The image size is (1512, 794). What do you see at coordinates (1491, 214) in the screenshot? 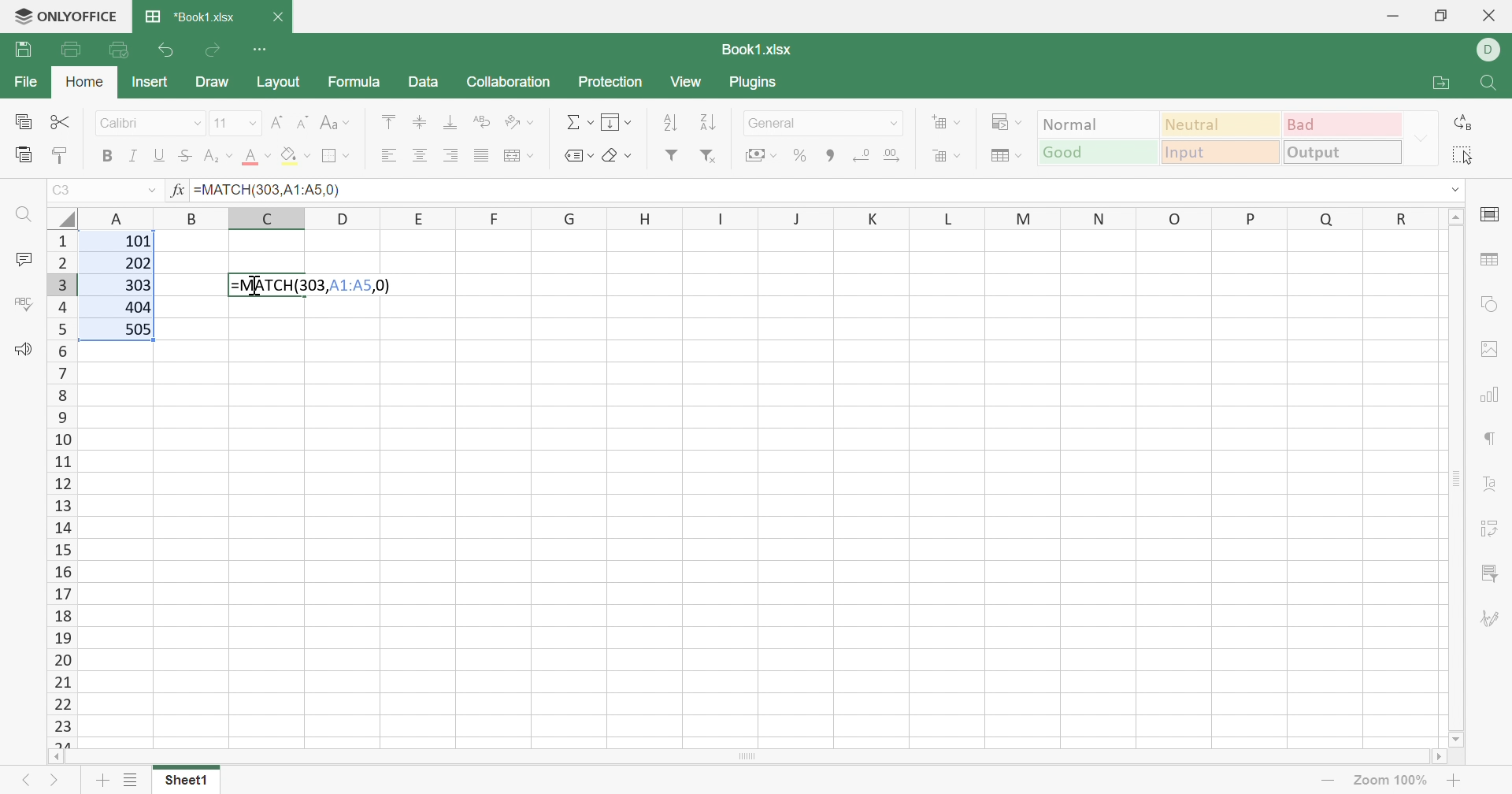
I see `cell settings` at bounding box center [1491, 214].